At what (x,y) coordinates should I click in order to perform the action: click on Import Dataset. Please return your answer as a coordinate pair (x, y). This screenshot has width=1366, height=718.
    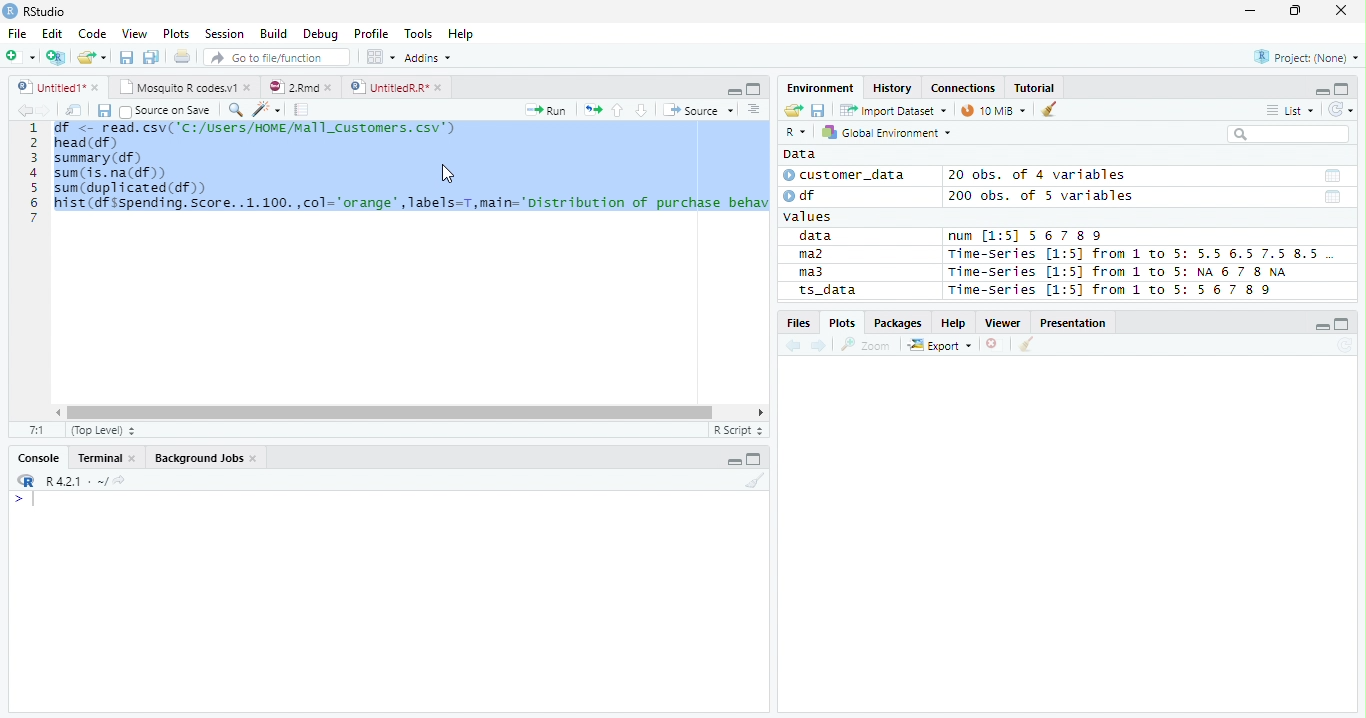
    Looking at the image, I should click on (891, 110).